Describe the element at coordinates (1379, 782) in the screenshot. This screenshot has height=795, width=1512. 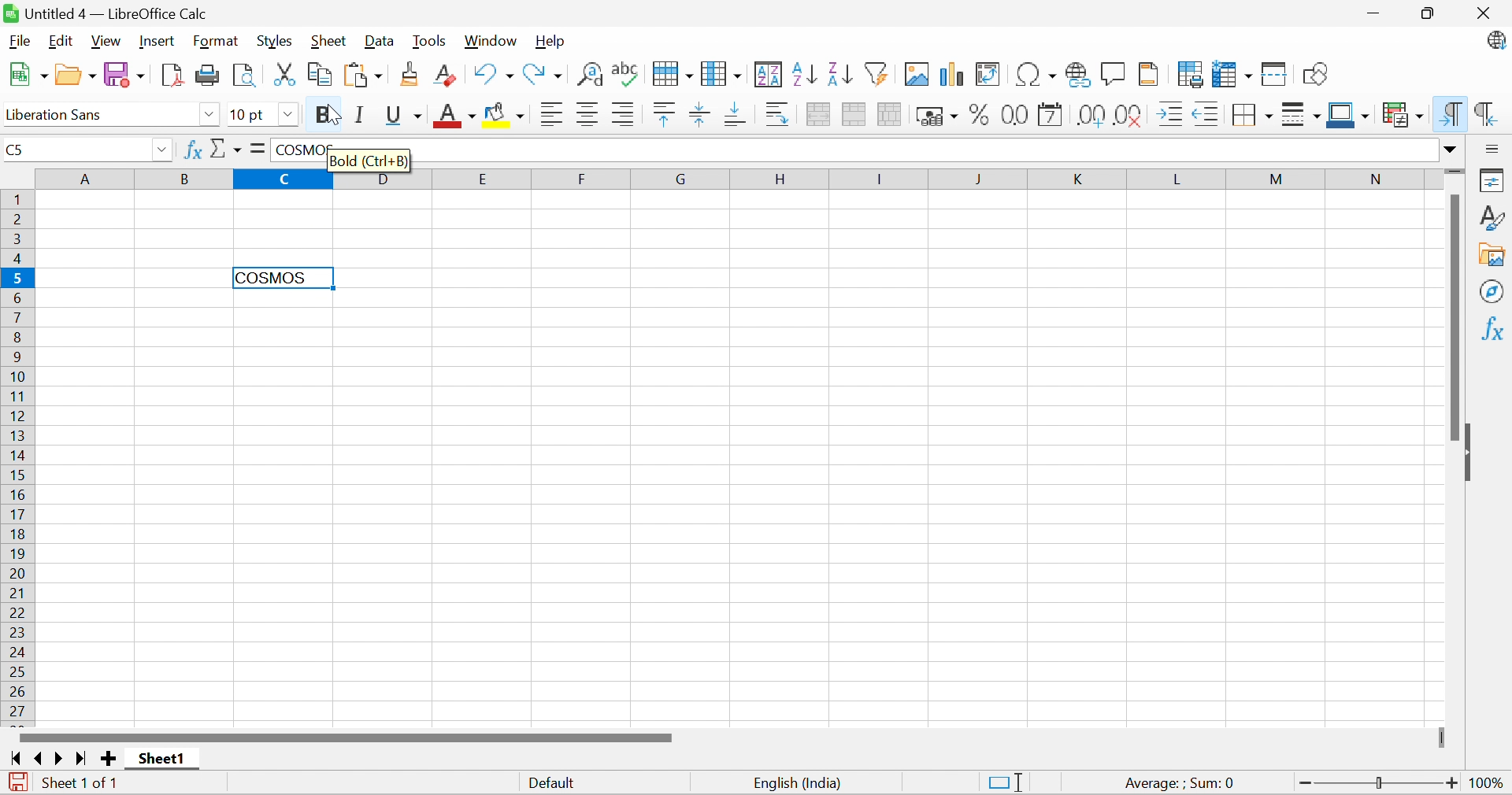
I see `Slider` at that location.